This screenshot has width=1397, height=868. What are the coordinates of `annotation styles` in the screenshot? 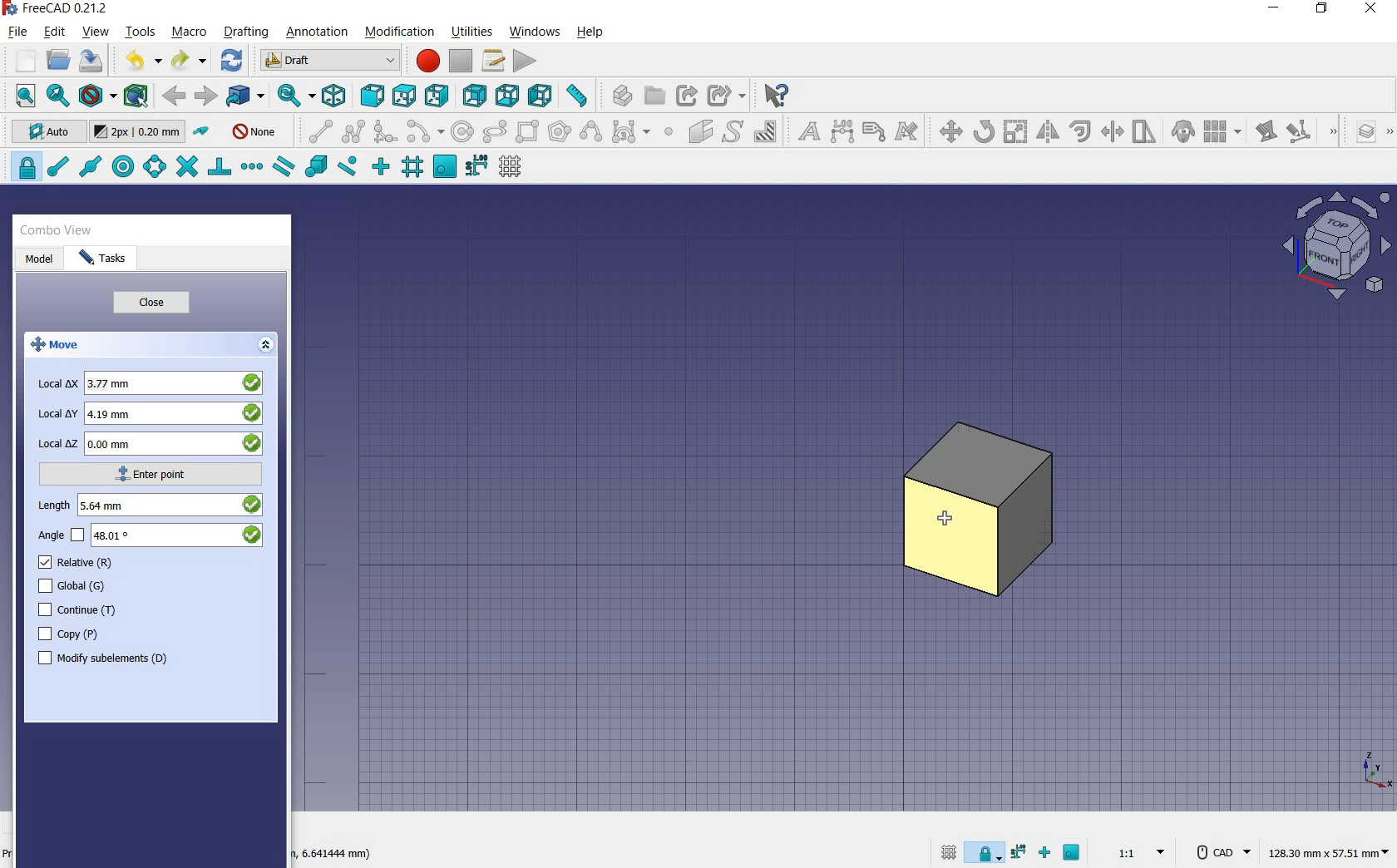 It's located at (908, 133).